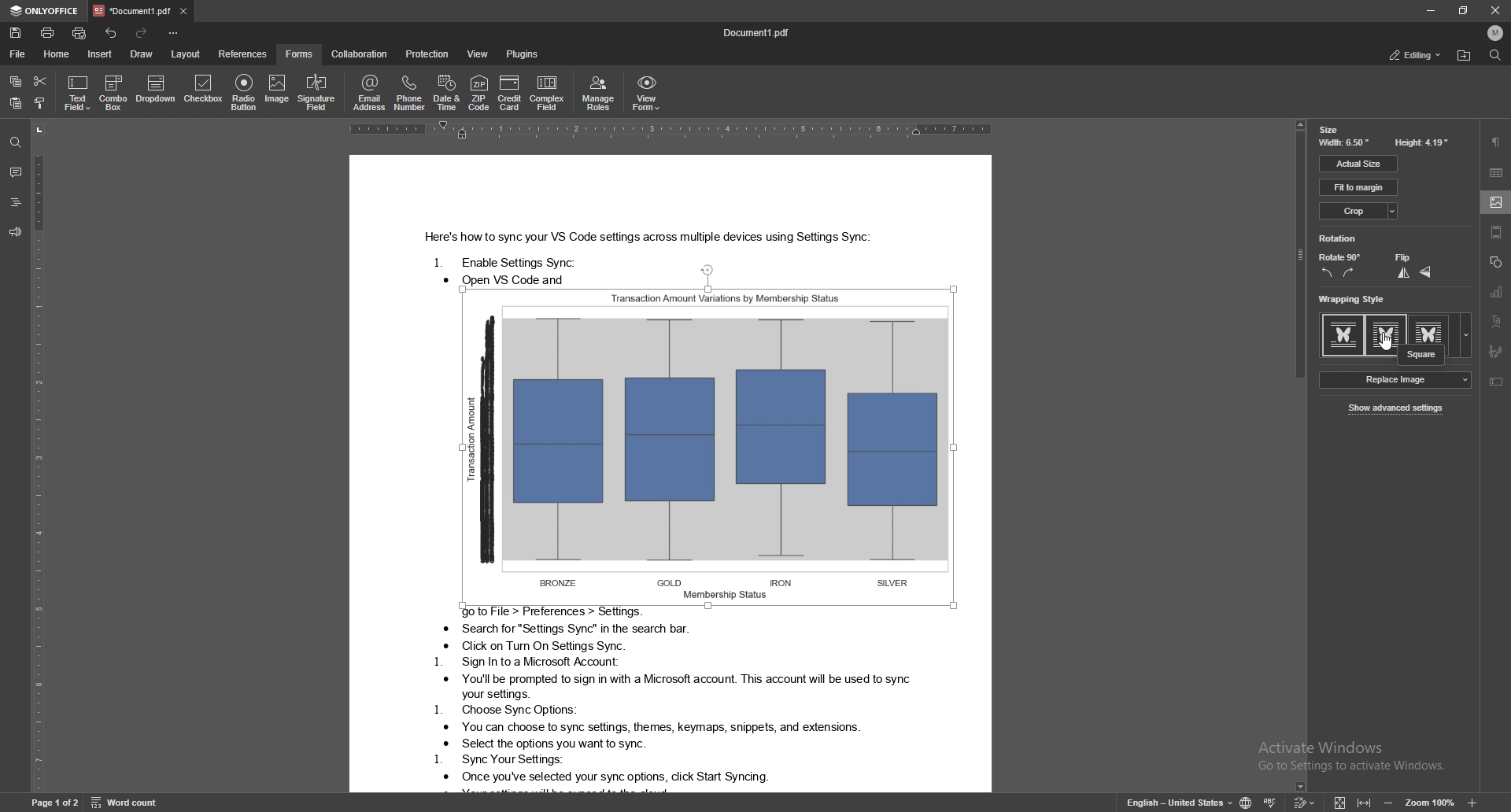  What do you see at coordinates (511, 92) in the screenshot?
I see `credit card` at bounding box center [511, 92].